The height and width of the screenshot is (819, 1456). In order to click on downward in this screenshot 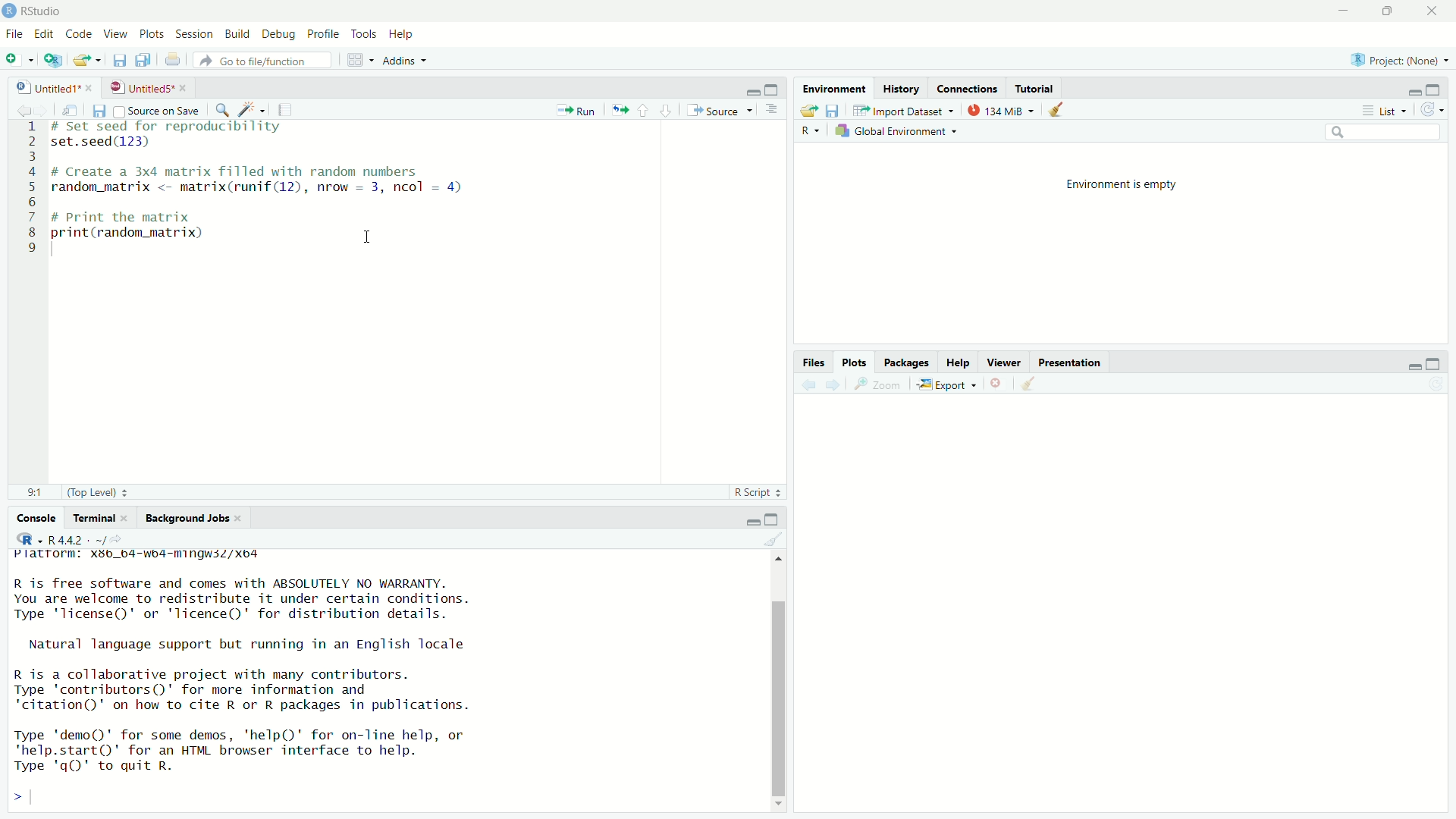, I will do `click(667, 109)`.